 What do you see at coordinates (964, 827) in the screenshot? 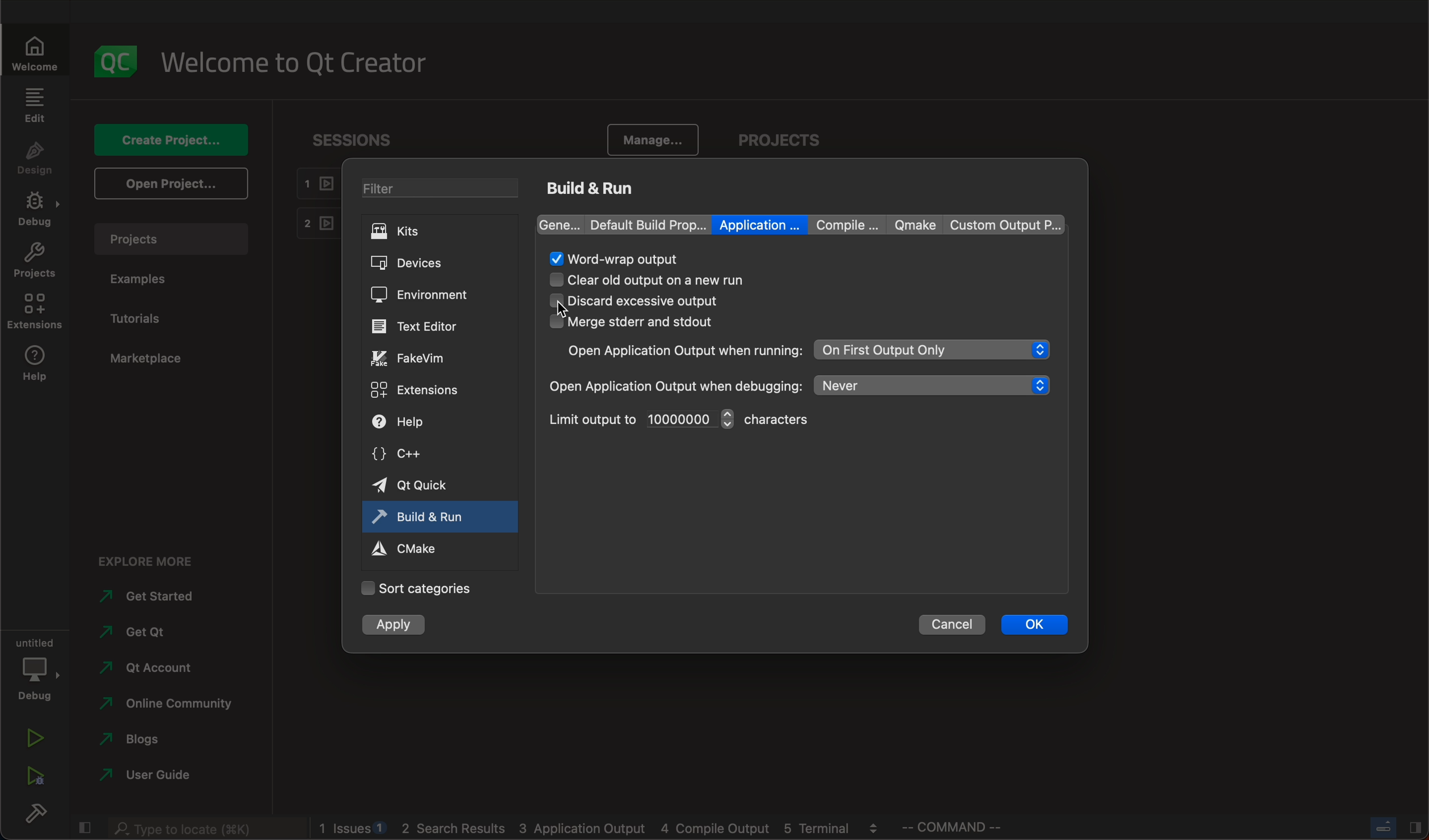
I see `command` at bounding box center [964, 827].